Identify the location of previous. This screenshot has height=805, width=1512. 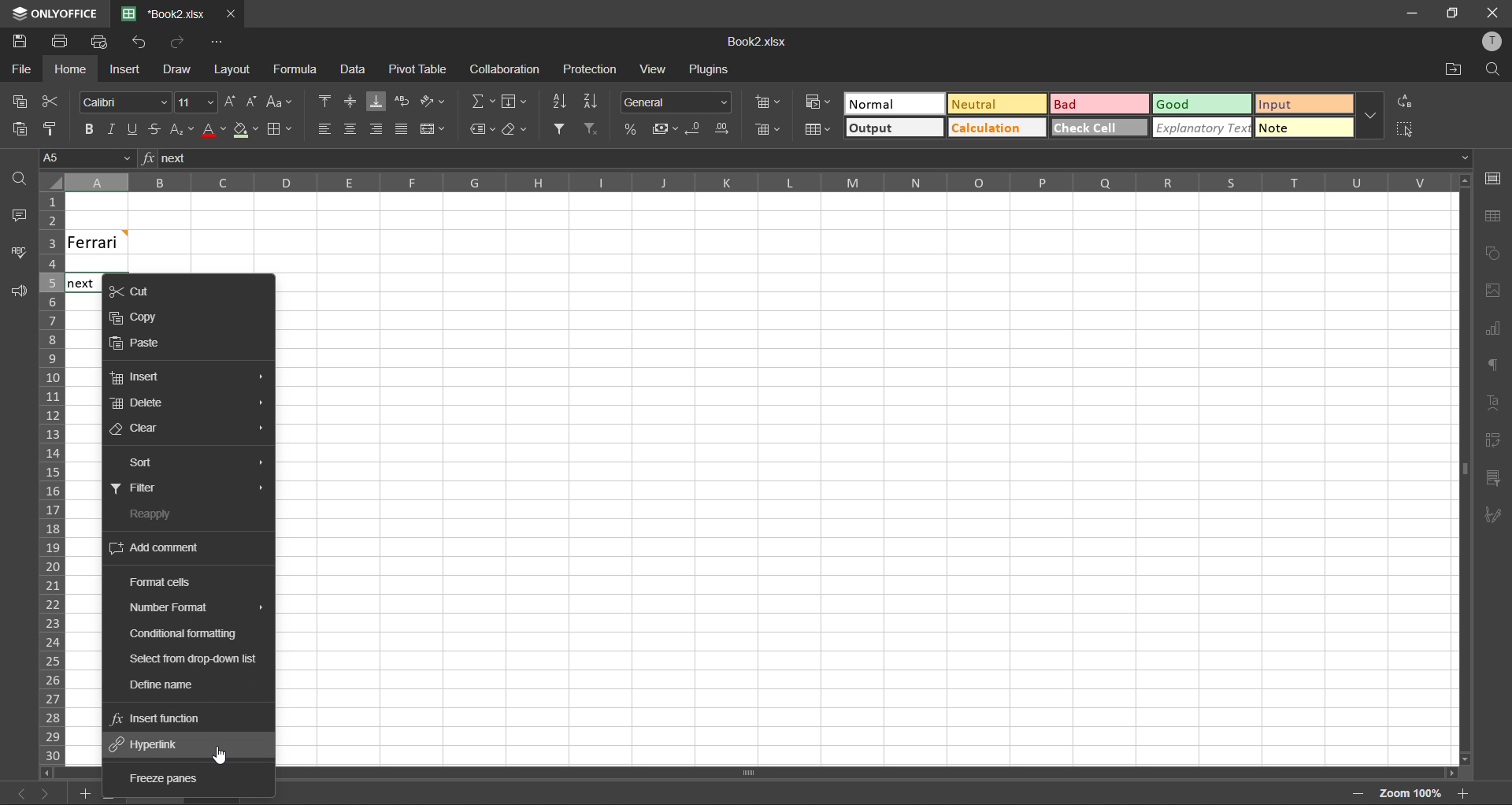
(13, 792).